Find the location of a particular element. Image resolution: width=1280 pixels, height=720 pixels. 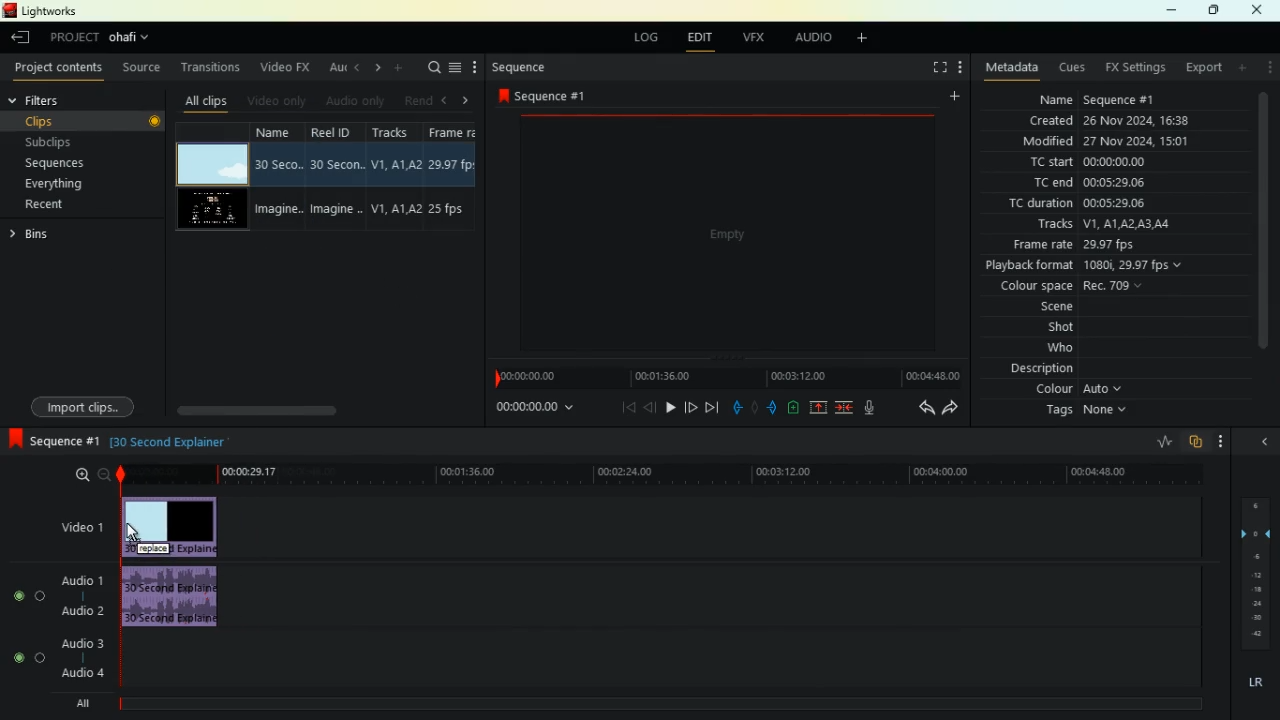

time is located at coordinates (531, 411).